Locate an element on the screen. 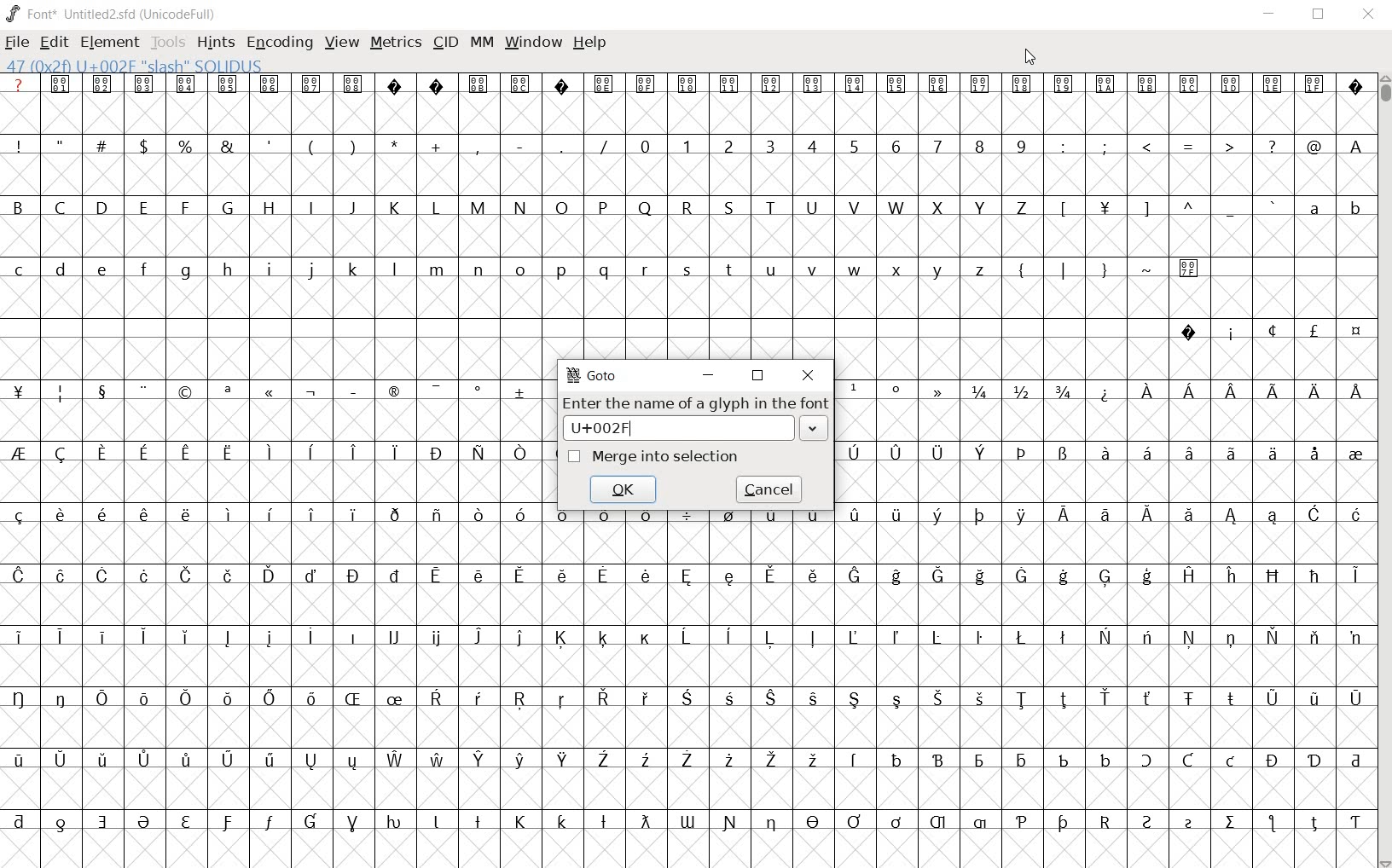 This screenshot has height=868, width=1392. CLOSE is located at coordinates (1367, 14).